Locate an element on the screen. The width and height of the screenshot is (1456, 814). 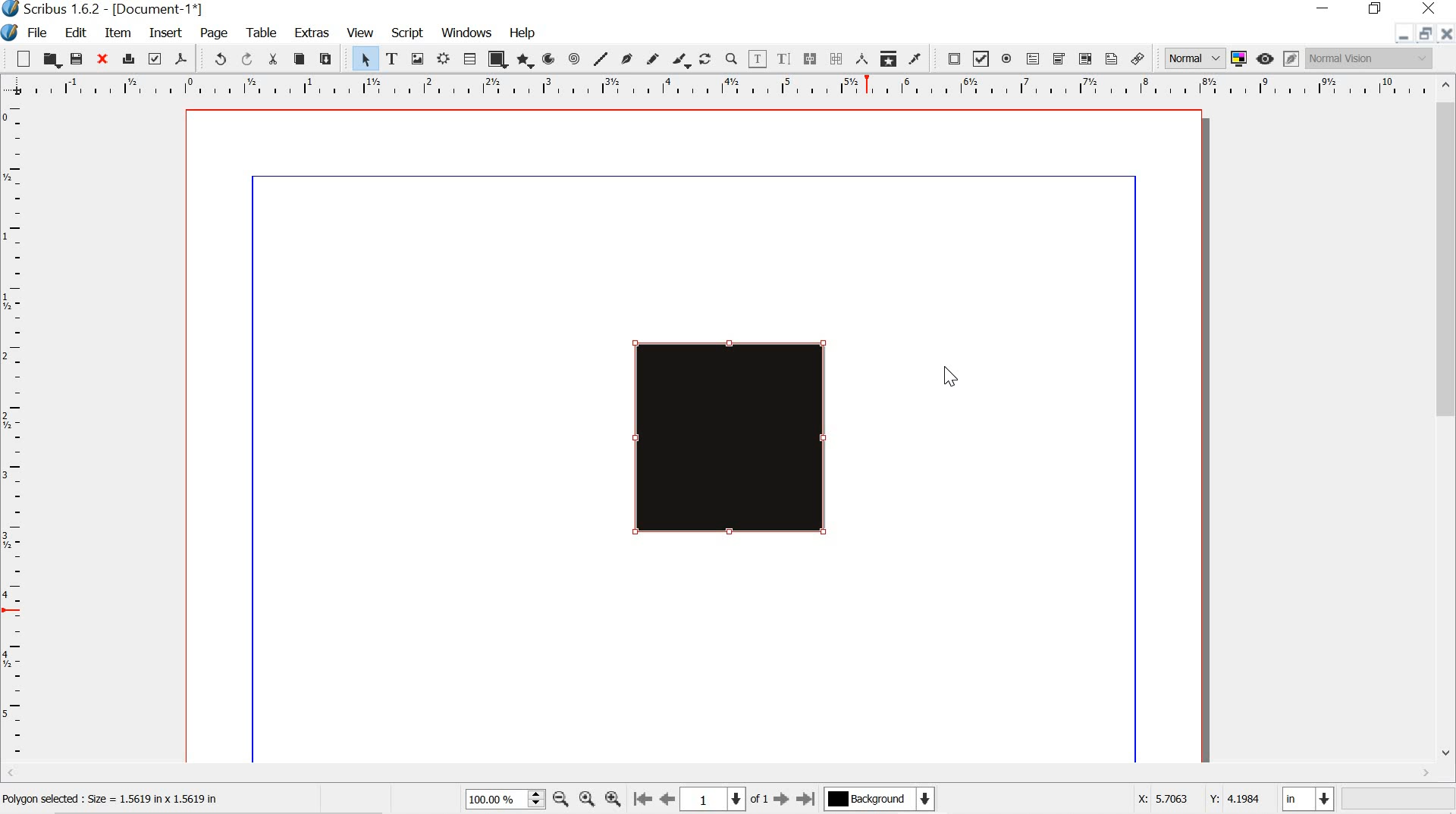
polygon is located at coordinates (526, 61).